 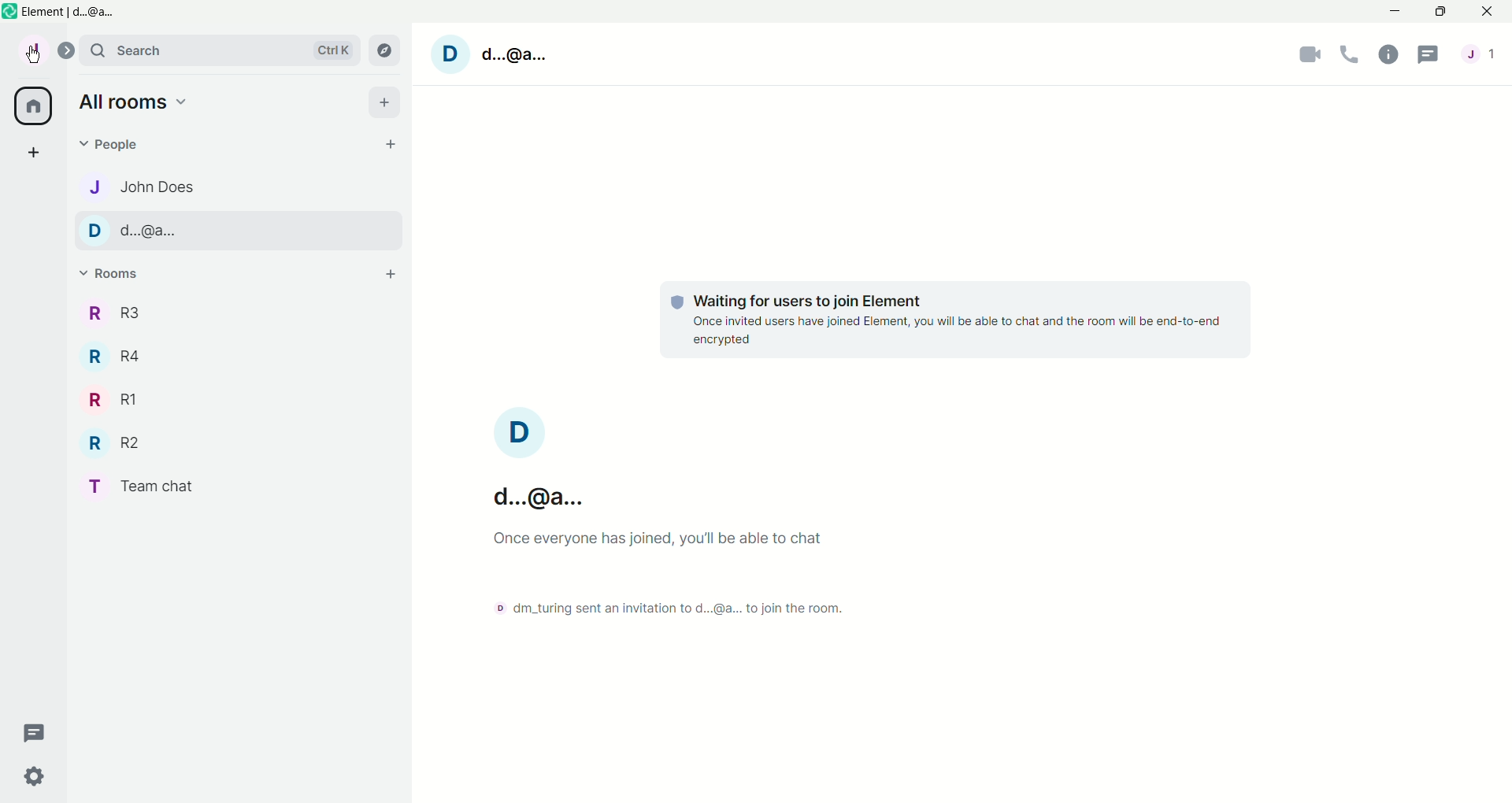 What do you see at coordinates (35, 732) in the screenshot?
I see `Threads` at bounding box center [35, 732].